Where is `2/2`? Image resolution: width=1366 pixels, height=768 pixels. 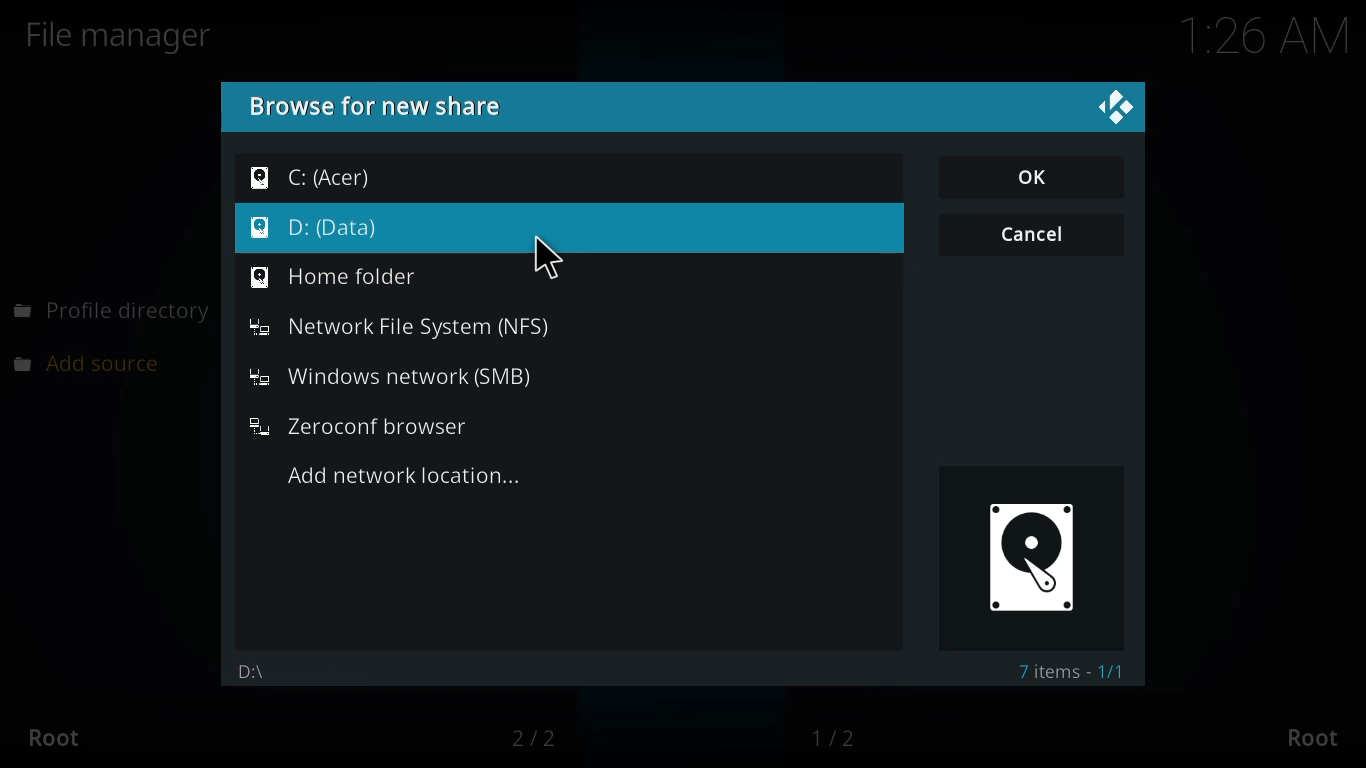 2/2 is located at coordinates (544, 738).